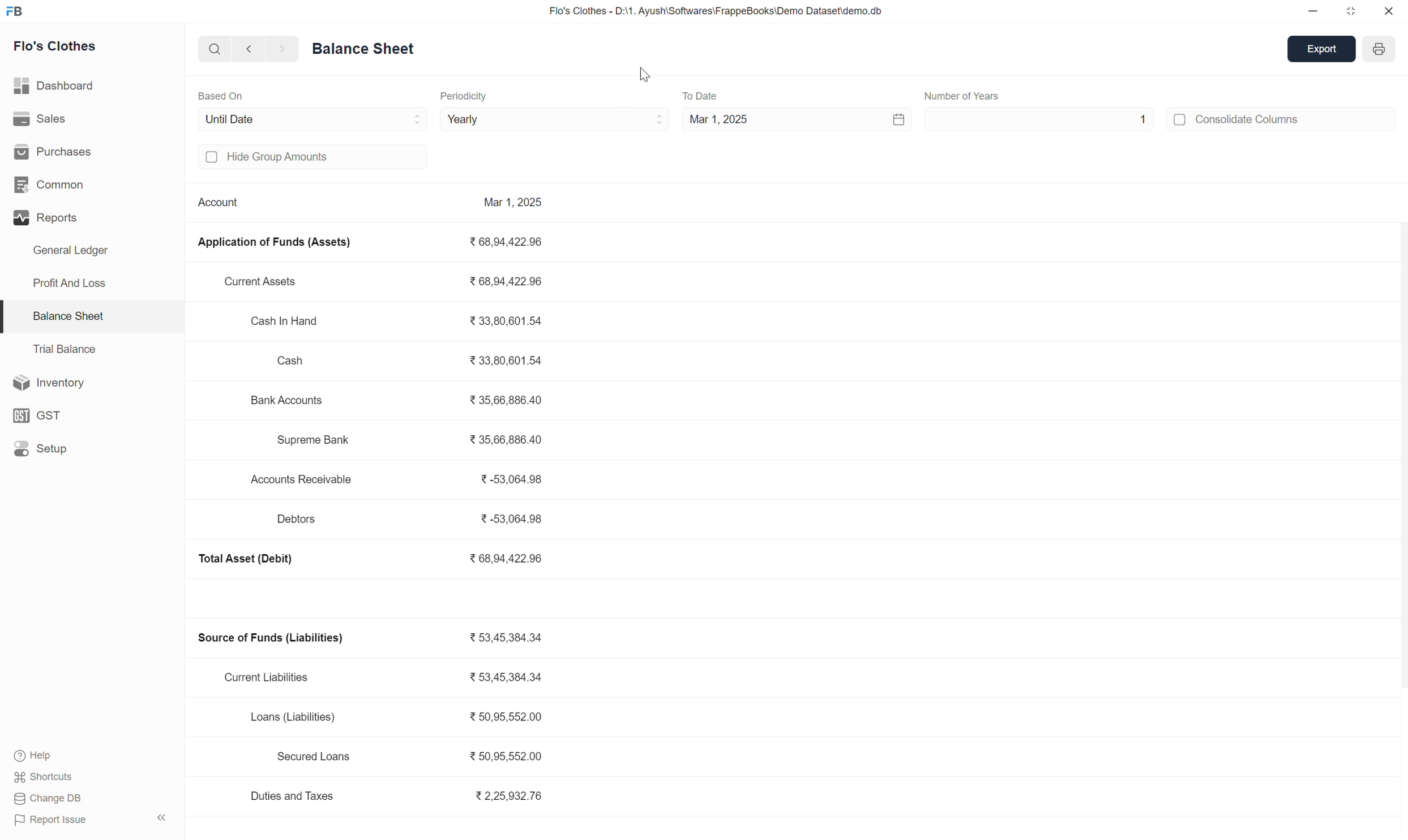 This screenshot has width=1408, height=840. I want to click on  Help, so click(45, 755).